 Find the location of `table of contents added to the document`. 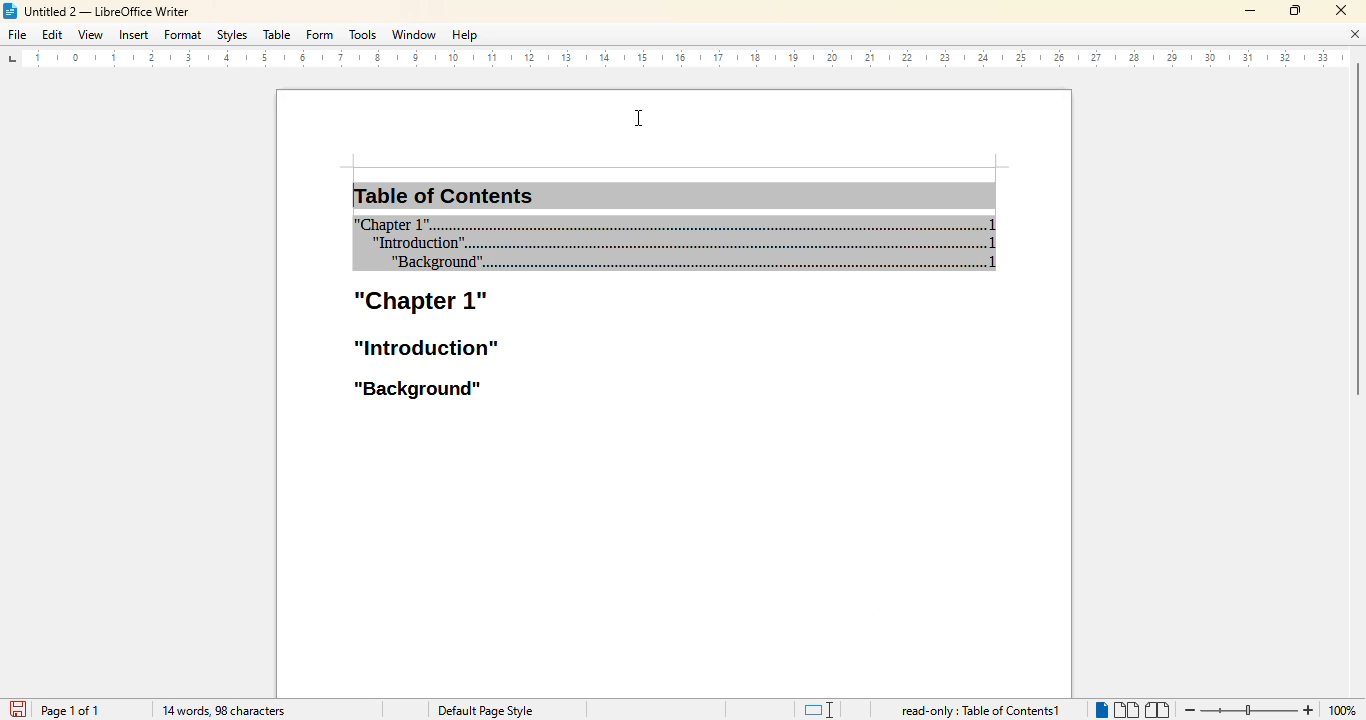

table of contents added to the document is located at coordinates (674, 227).